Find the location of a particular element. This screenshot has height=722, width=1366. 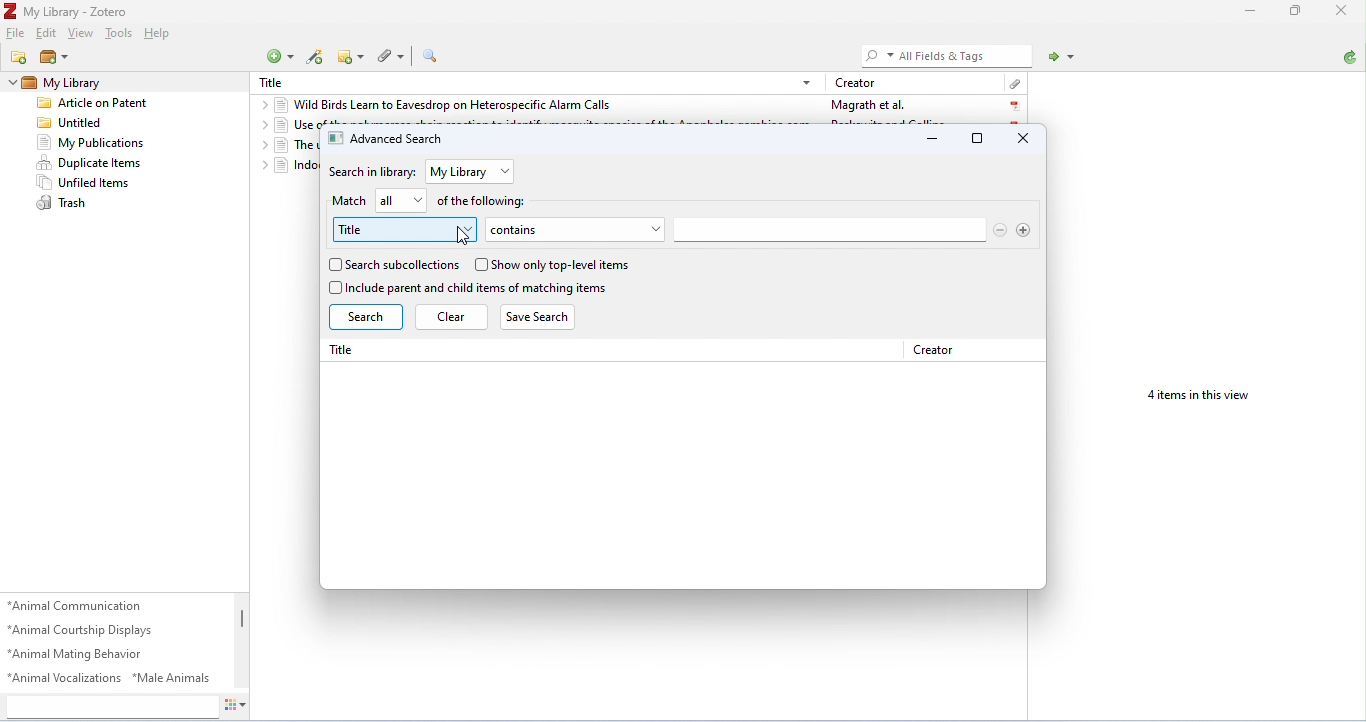

All Fields & Tags is located at coordinates (939, 55).